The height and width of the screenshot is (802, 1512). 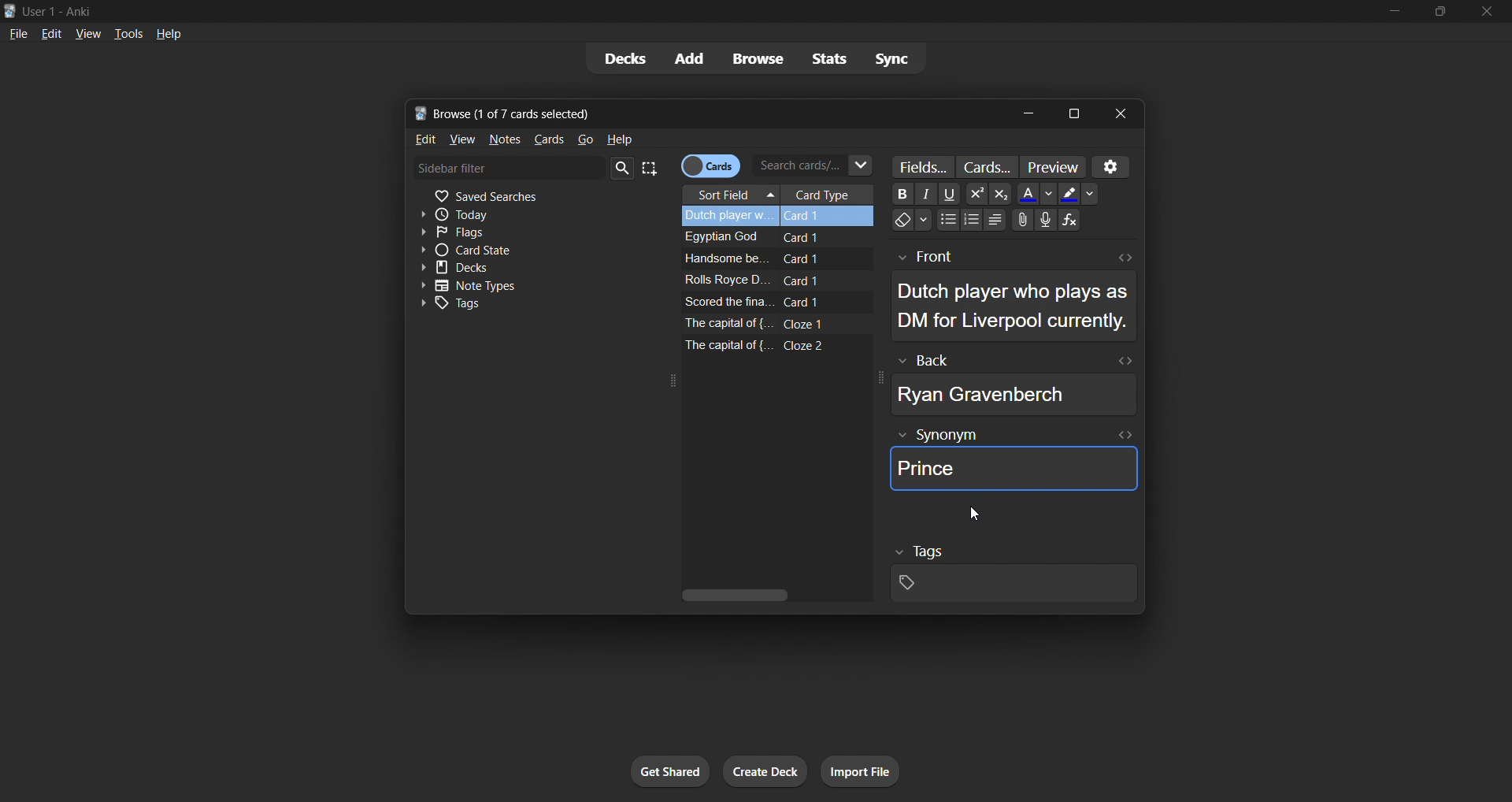 I want to click on cards/notes toggle, so click(x=710, y=166).